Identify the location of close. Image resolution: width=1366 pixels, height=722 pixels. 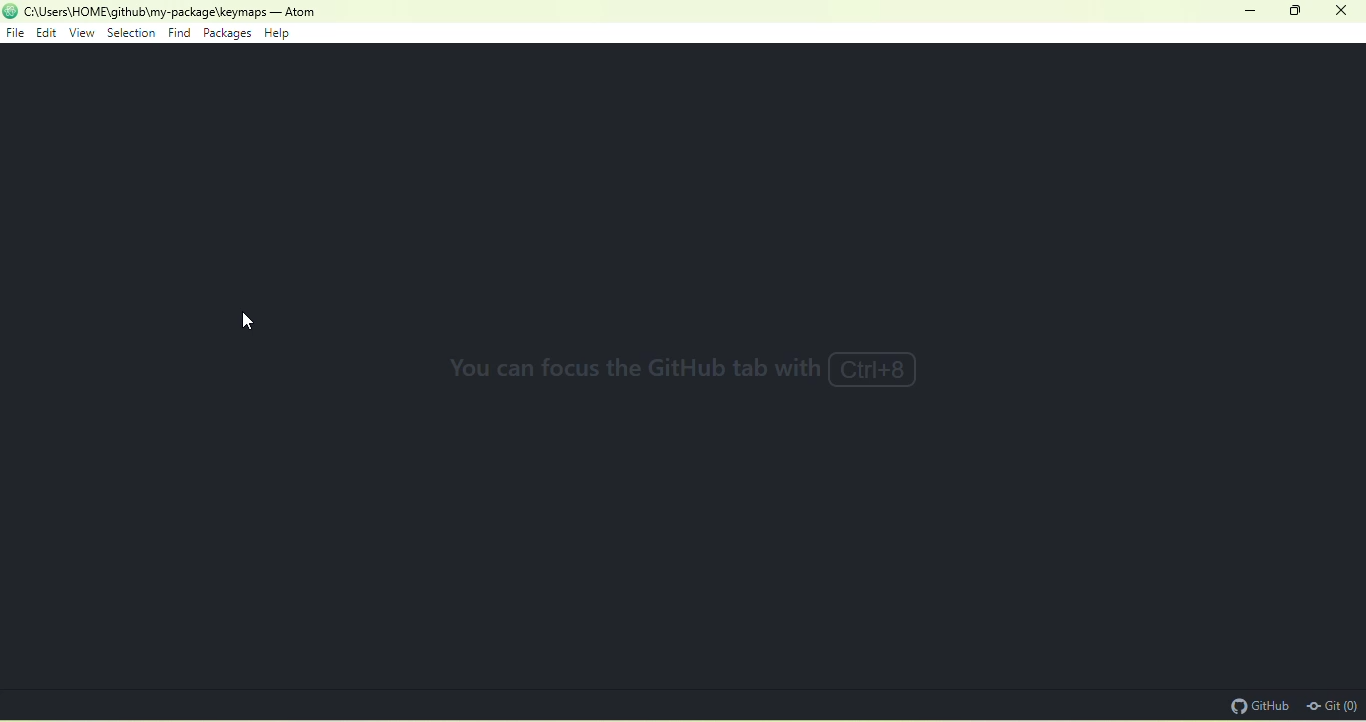
(1345, 10).